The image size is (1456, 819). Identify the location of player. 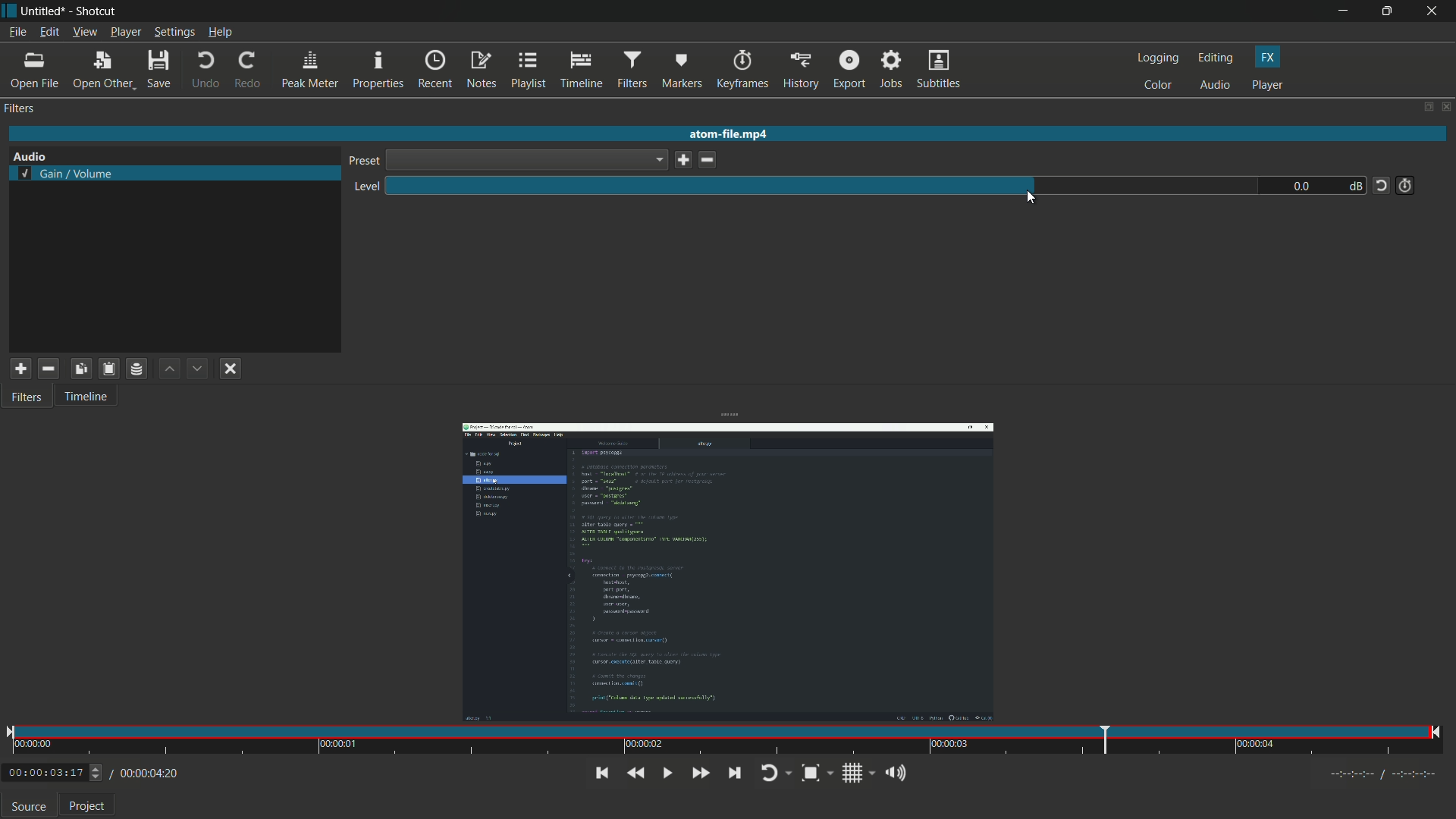
(1267, 85).